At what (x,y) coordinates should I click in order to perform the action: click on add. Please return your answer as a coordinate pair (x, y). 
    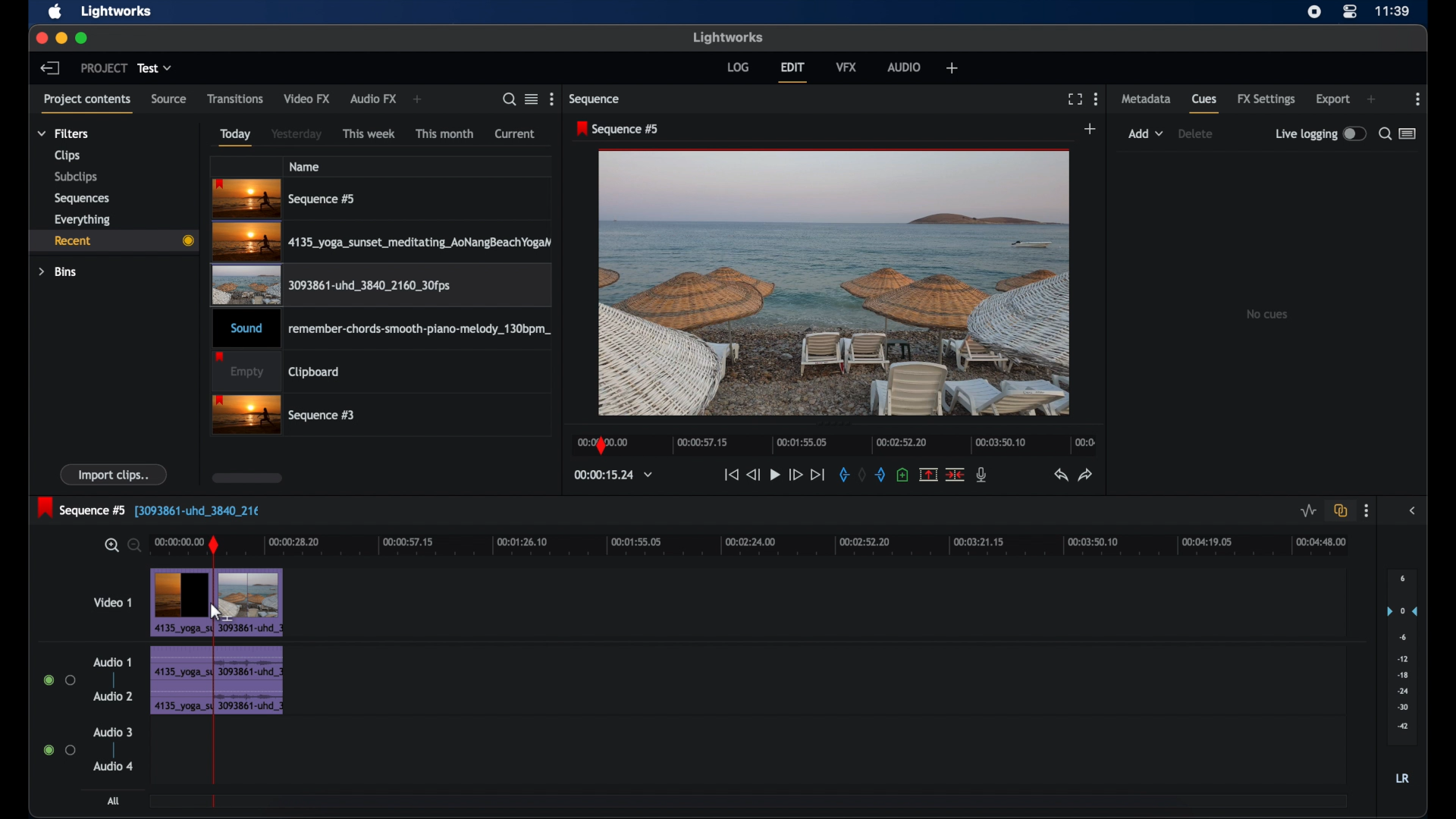
    Looking at the image, I should click on (417, 99).